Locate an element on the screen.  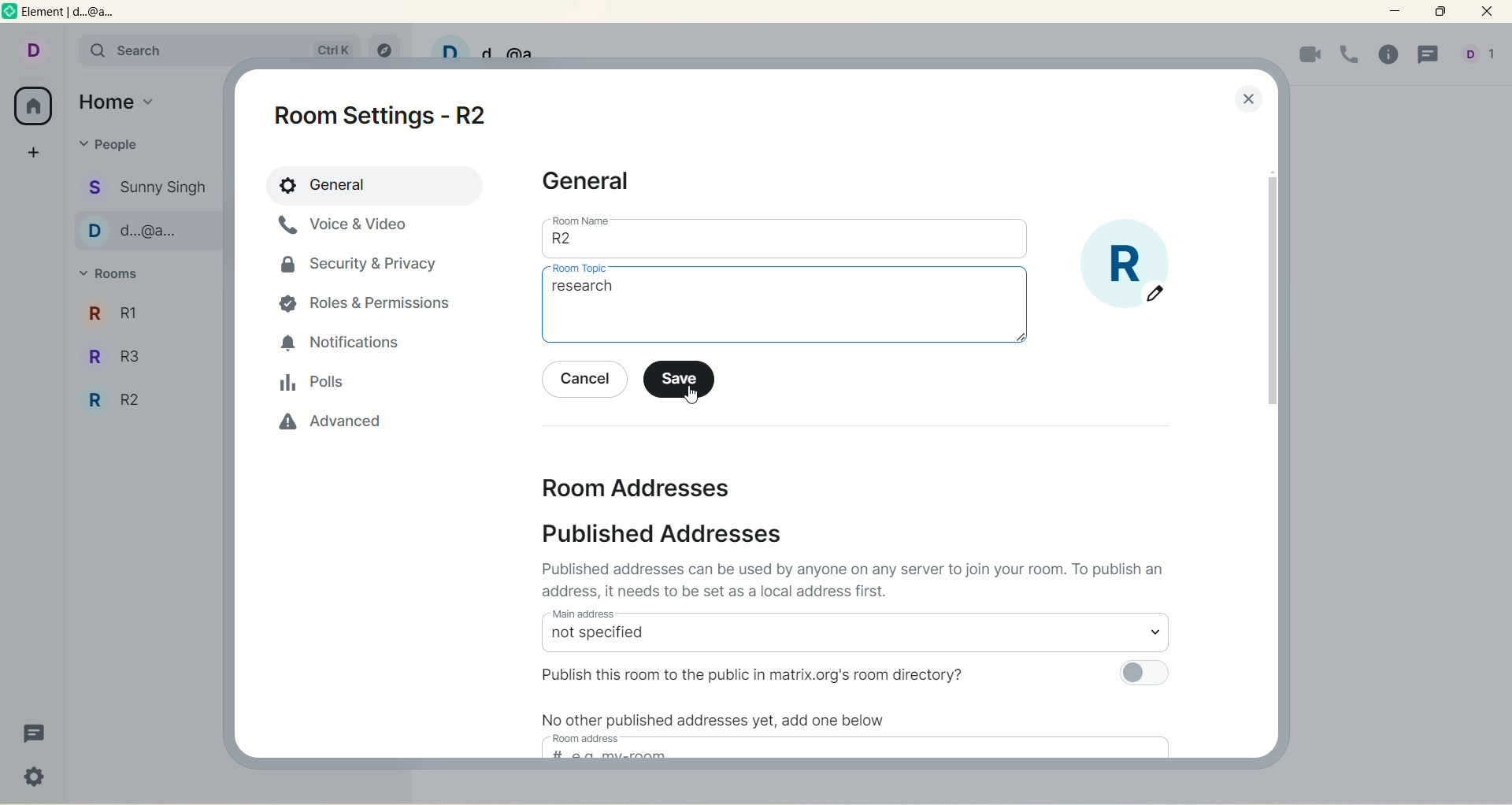
create space is located at coordinates (34, 152).